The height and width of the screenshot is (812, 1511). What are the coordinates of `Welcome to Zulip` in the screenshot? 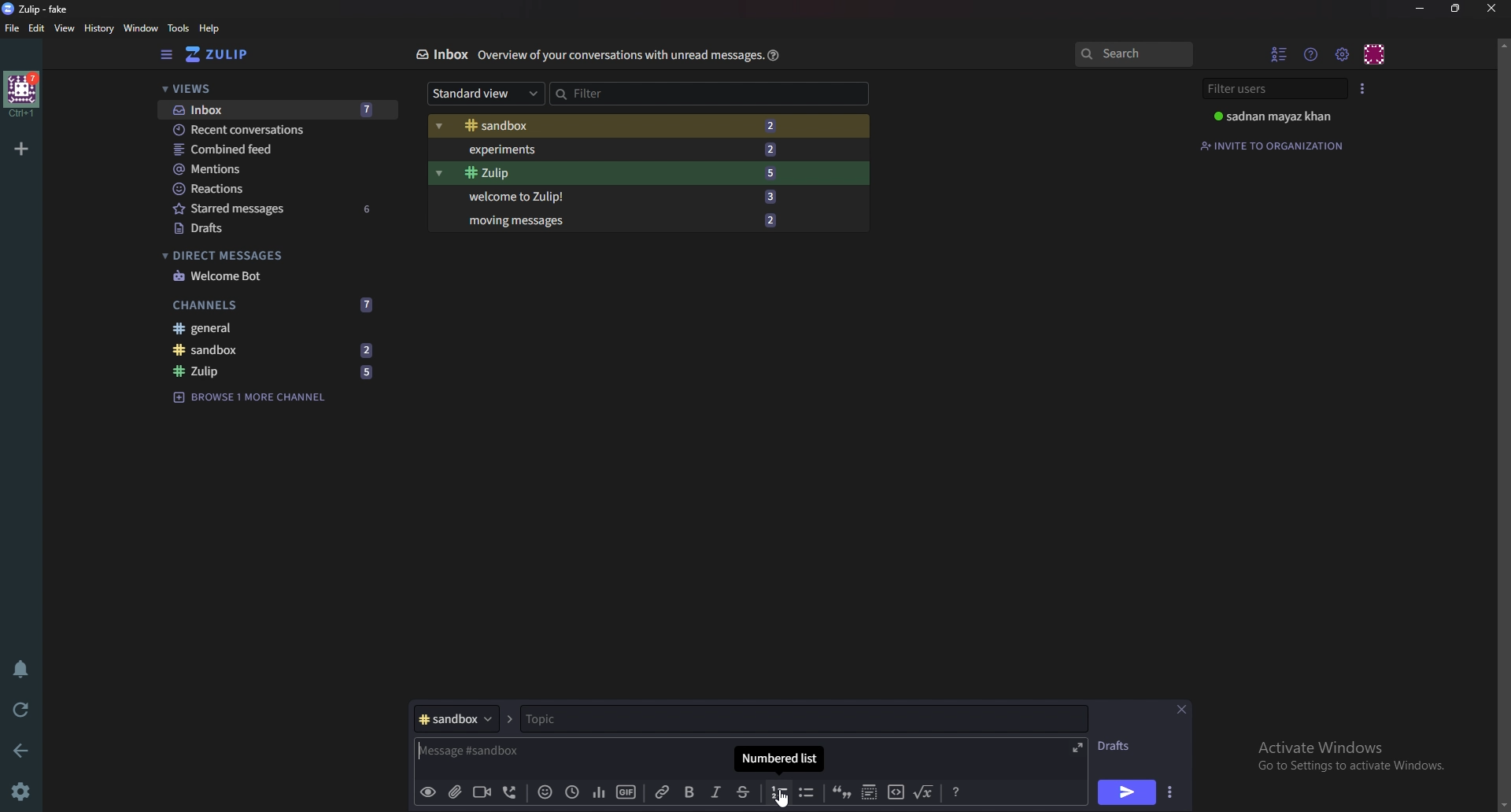 It's located at (618, 197).